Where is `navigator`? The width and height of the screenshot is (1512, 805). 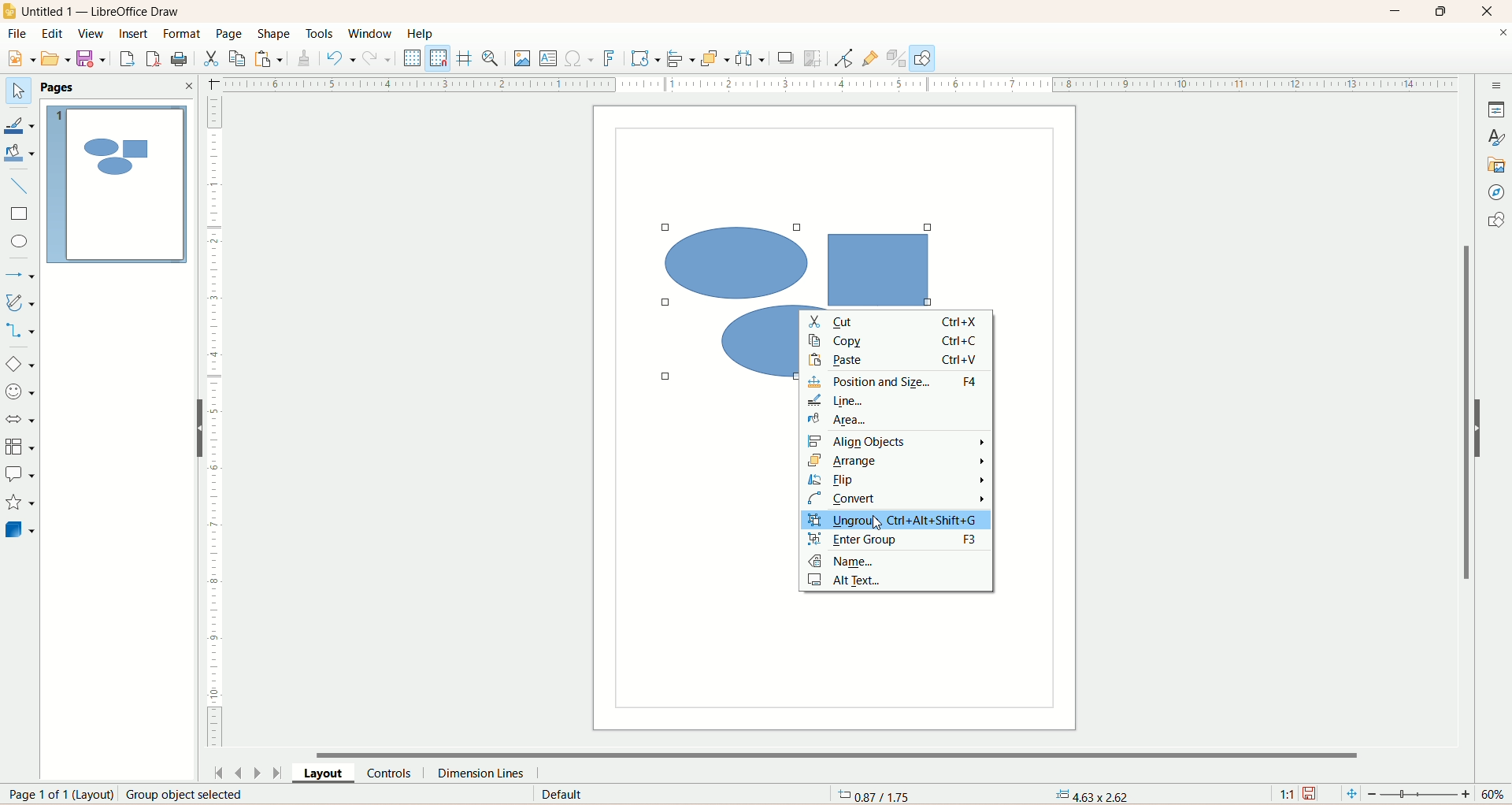 navigator is located at coordinates (1497, 193).